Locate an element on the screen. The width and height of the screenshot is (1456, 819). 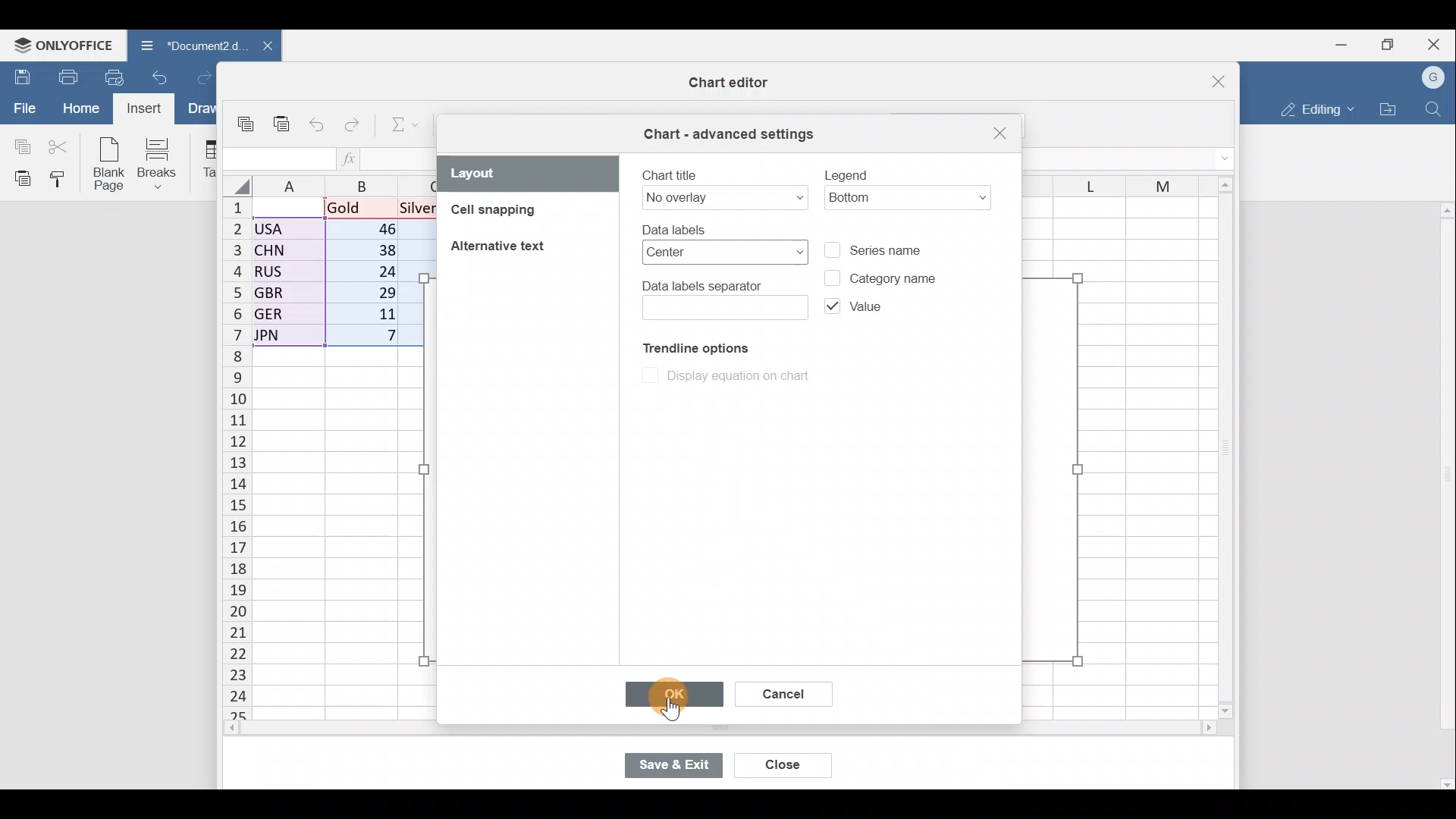
Insert function is located at coordinates (359, 158).